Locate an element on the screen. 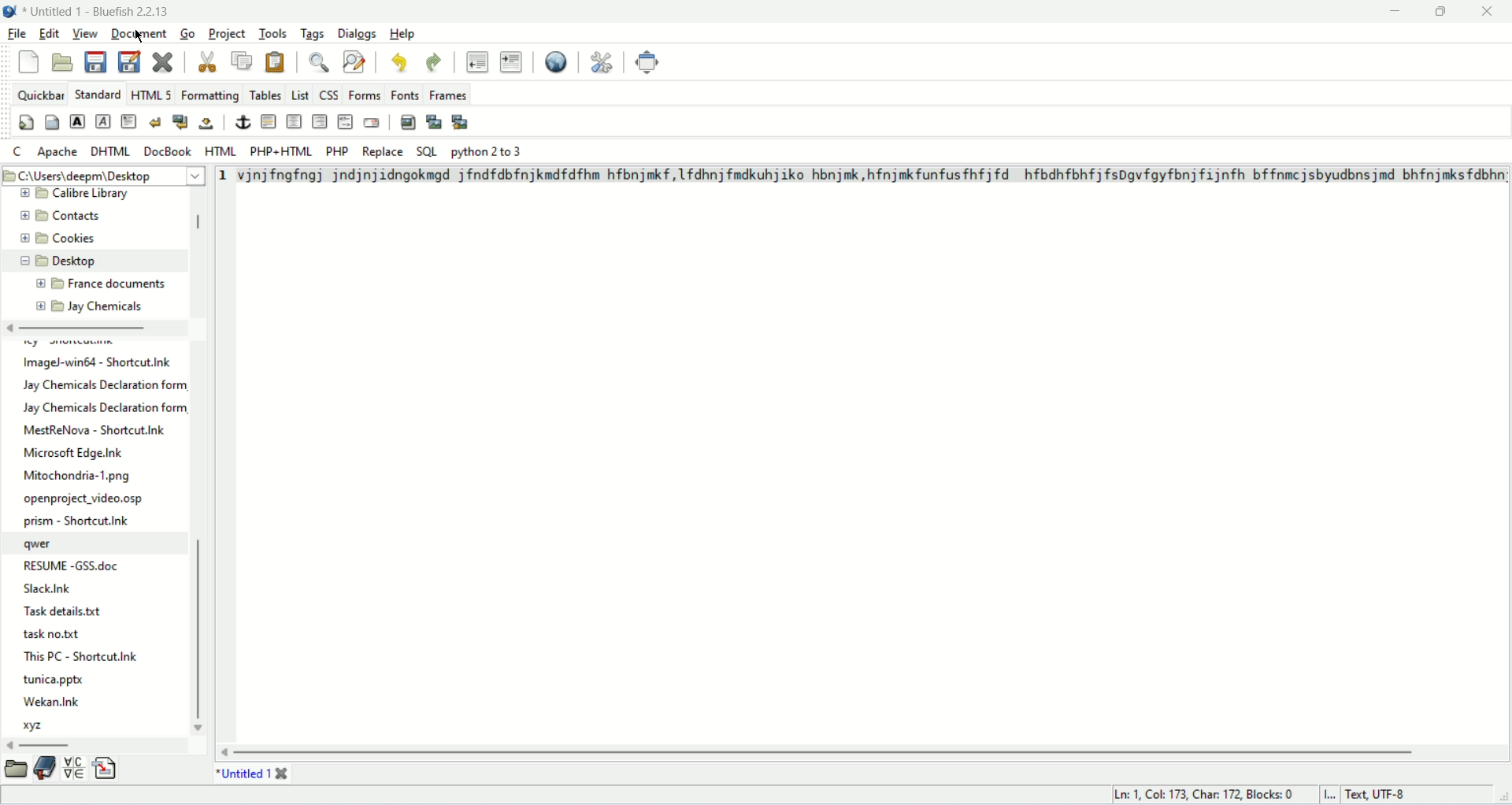  charmap is located at coordinates (75, 770).